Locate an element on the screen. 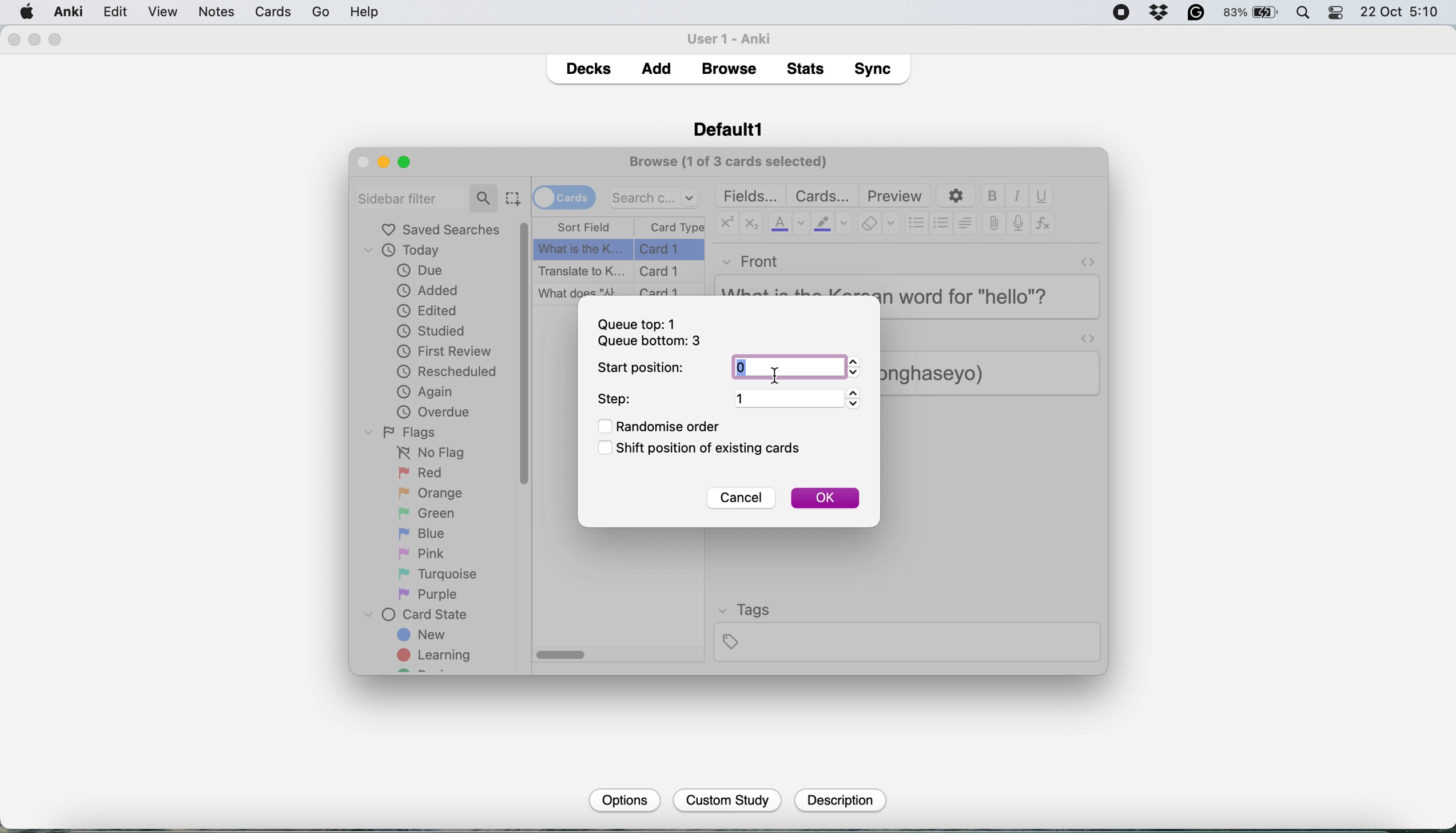 Image resolution: width=1456 pixels, height=833 pixels. studied is located at coordinates (432, 330).